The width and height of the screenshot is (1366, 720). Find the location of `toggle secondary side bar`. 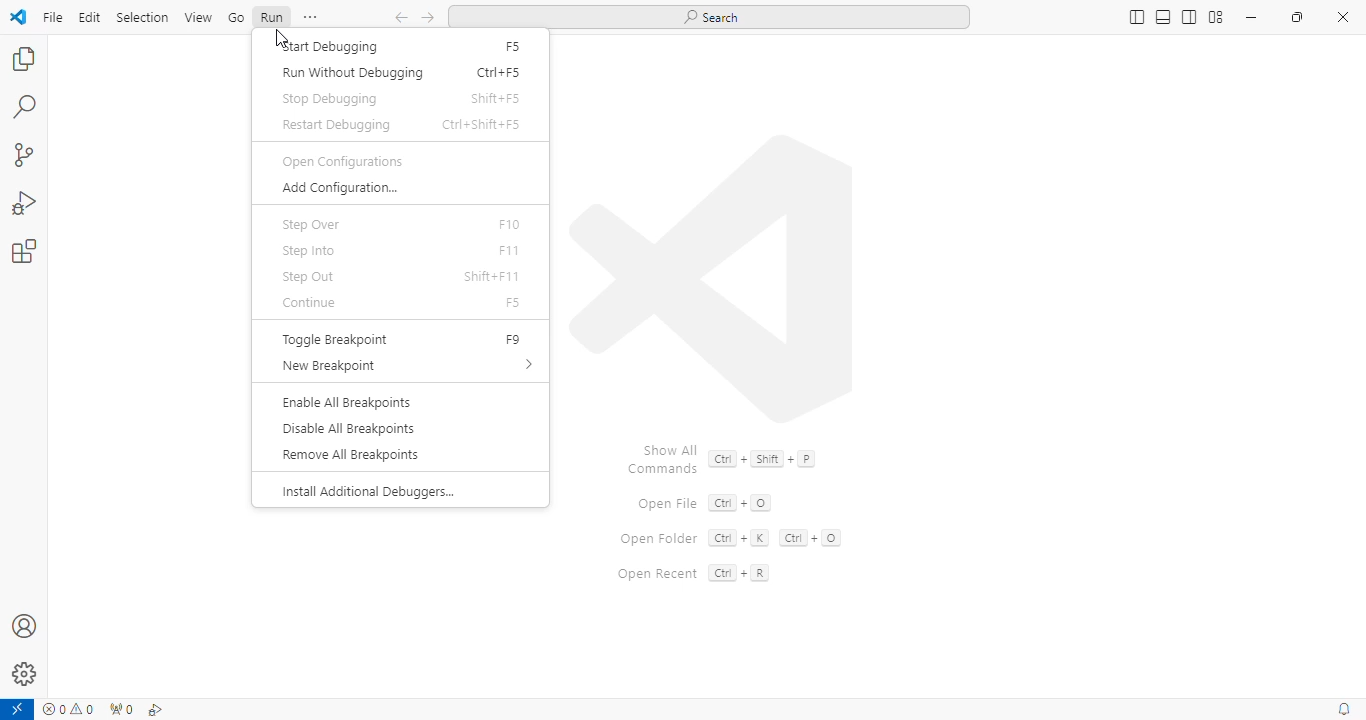

toggle secondary side bar is located at coordinates (1189, 17).